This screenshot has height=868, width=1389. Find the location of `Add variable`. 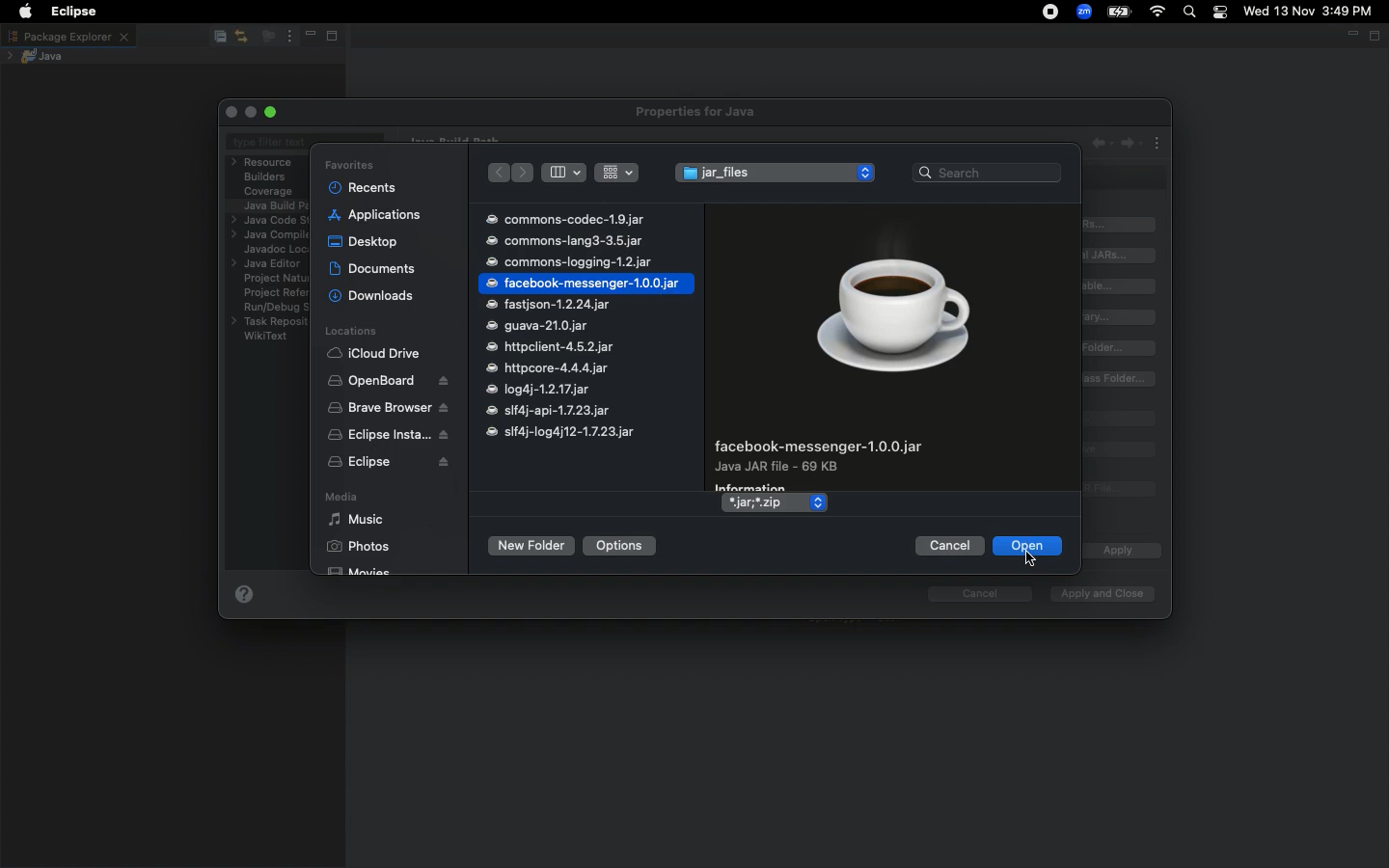

Add variable is located at coordinates (1123, 286).